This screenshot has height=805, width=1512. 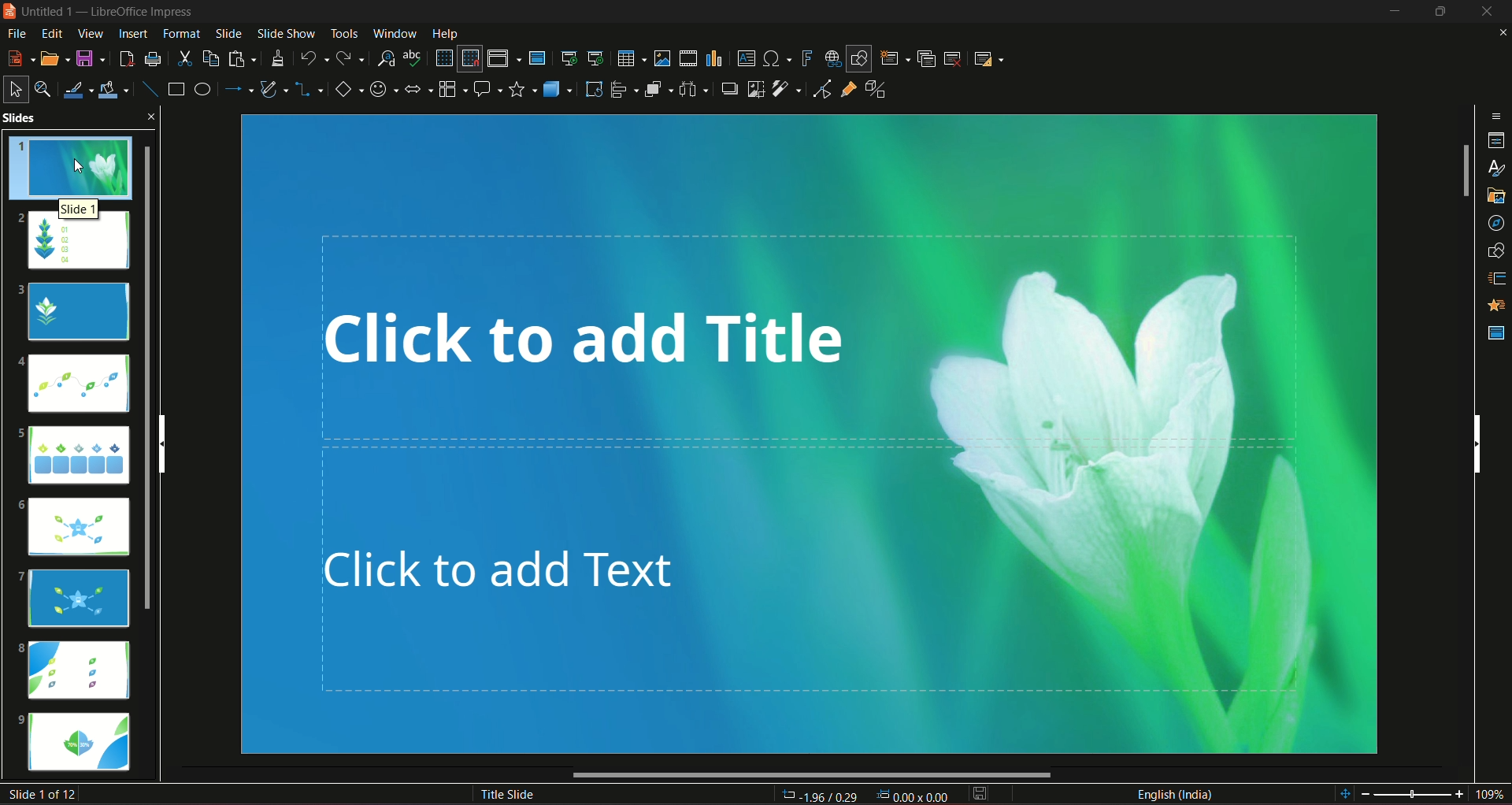 What do you see at coordinates (876, 91) in the screenshot?
I see `toggle extrusion` at bounding box center [876, 91].